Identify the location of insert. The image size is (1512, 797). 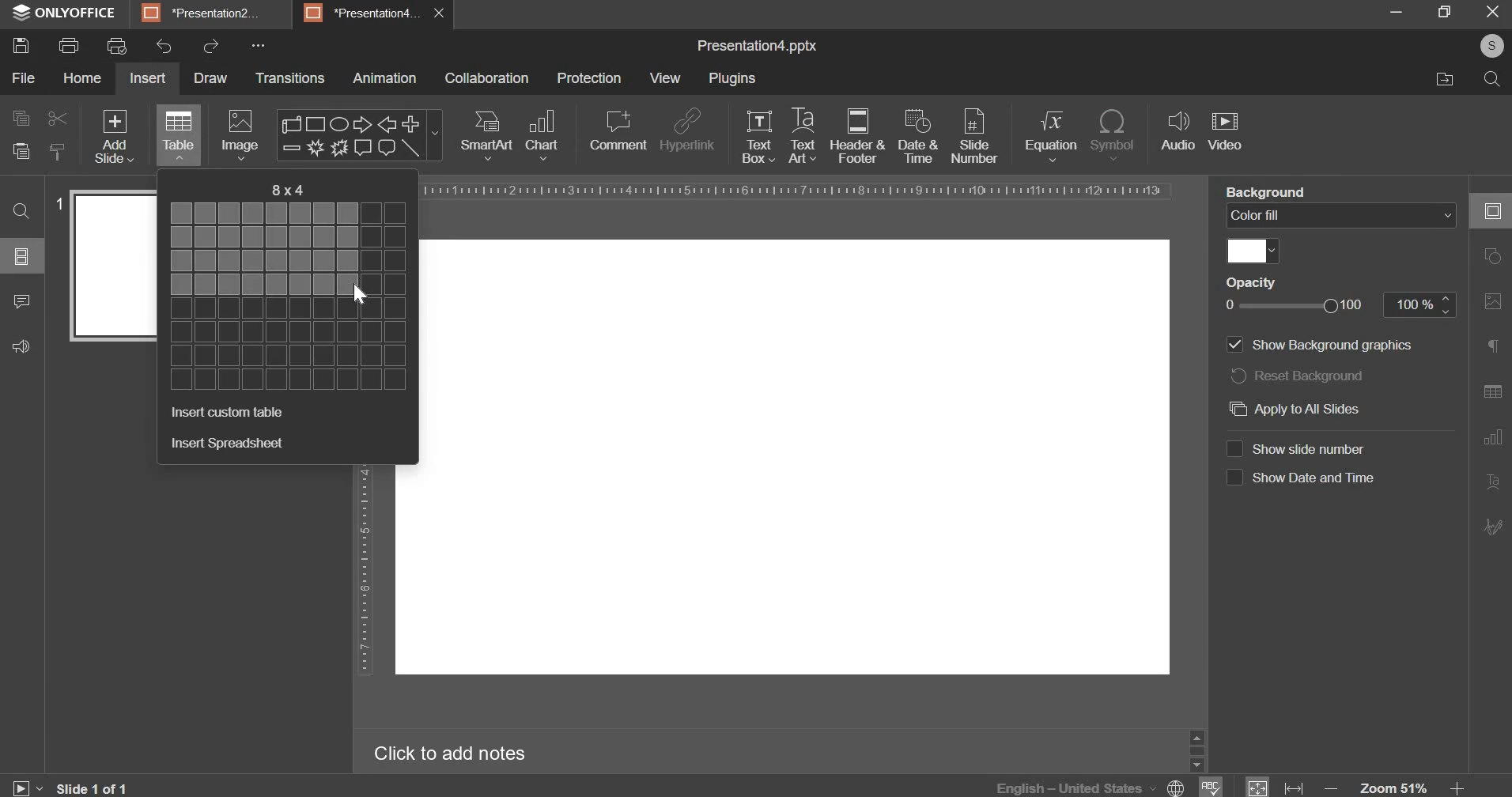
(146, 78).